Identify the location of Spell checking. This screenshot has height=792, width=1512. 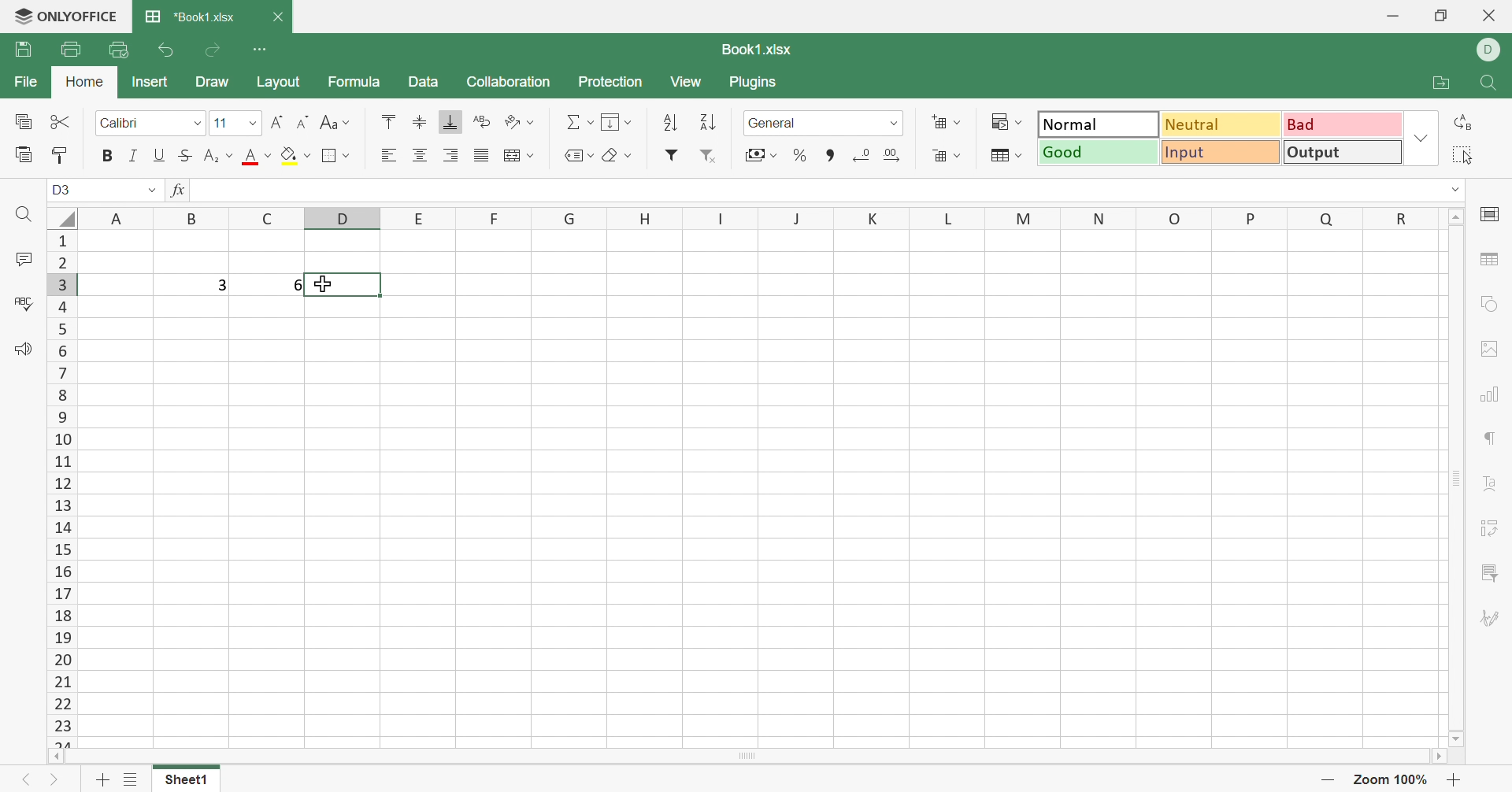
(26, 305).